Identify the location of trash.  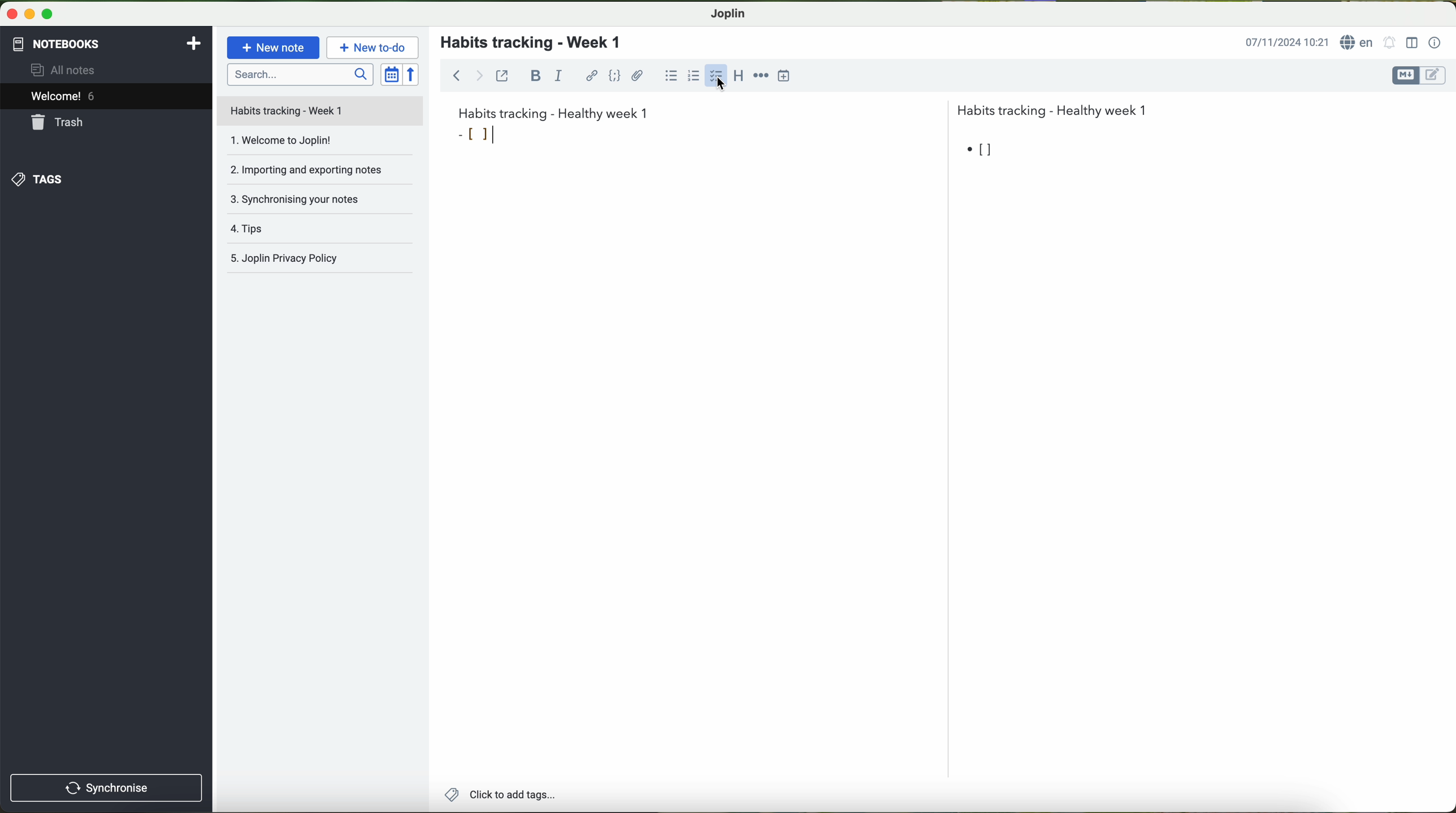
(59, 122).